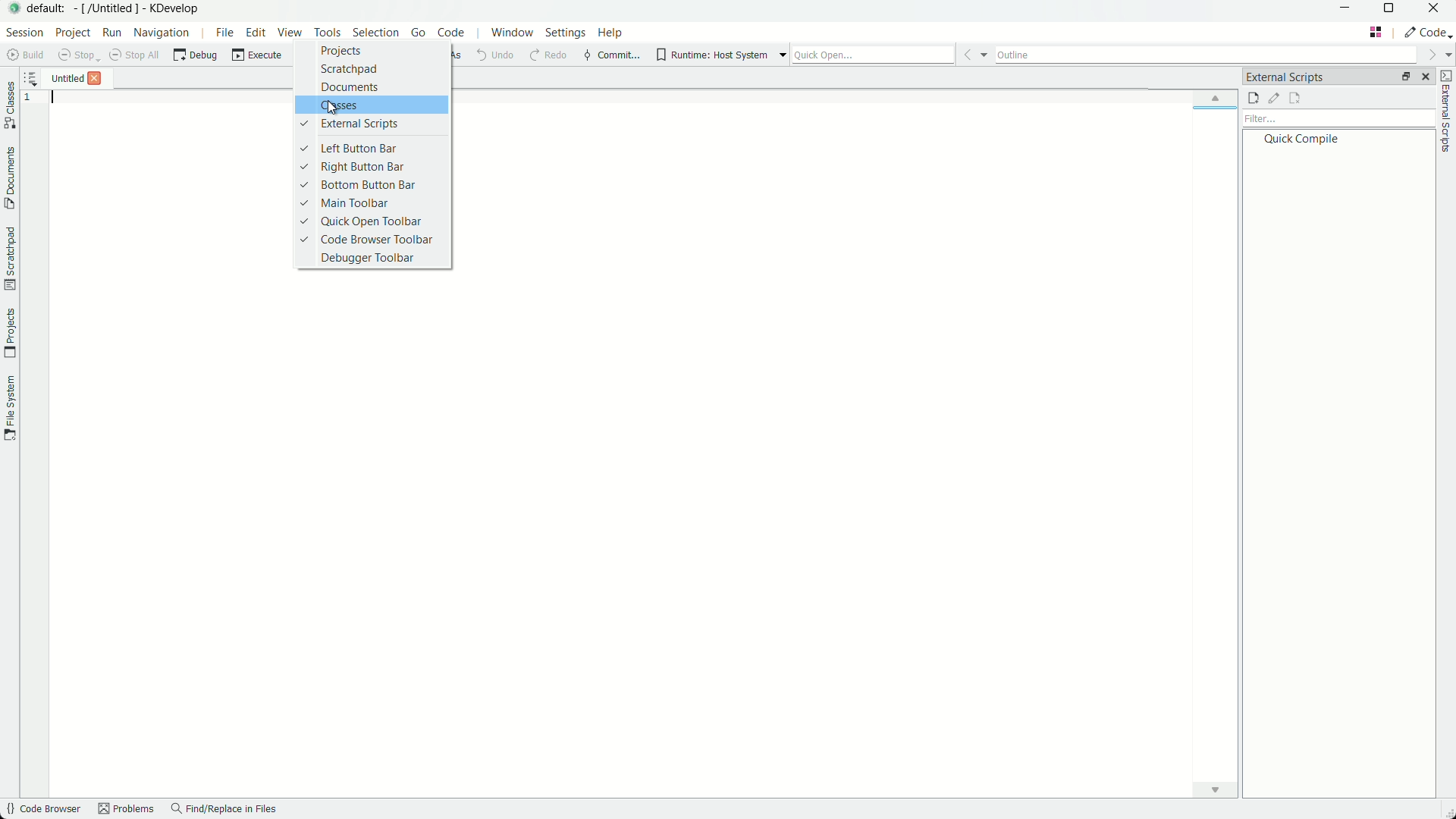 The image size is (1456, 819). I want to click on stop, so click(77, 57).